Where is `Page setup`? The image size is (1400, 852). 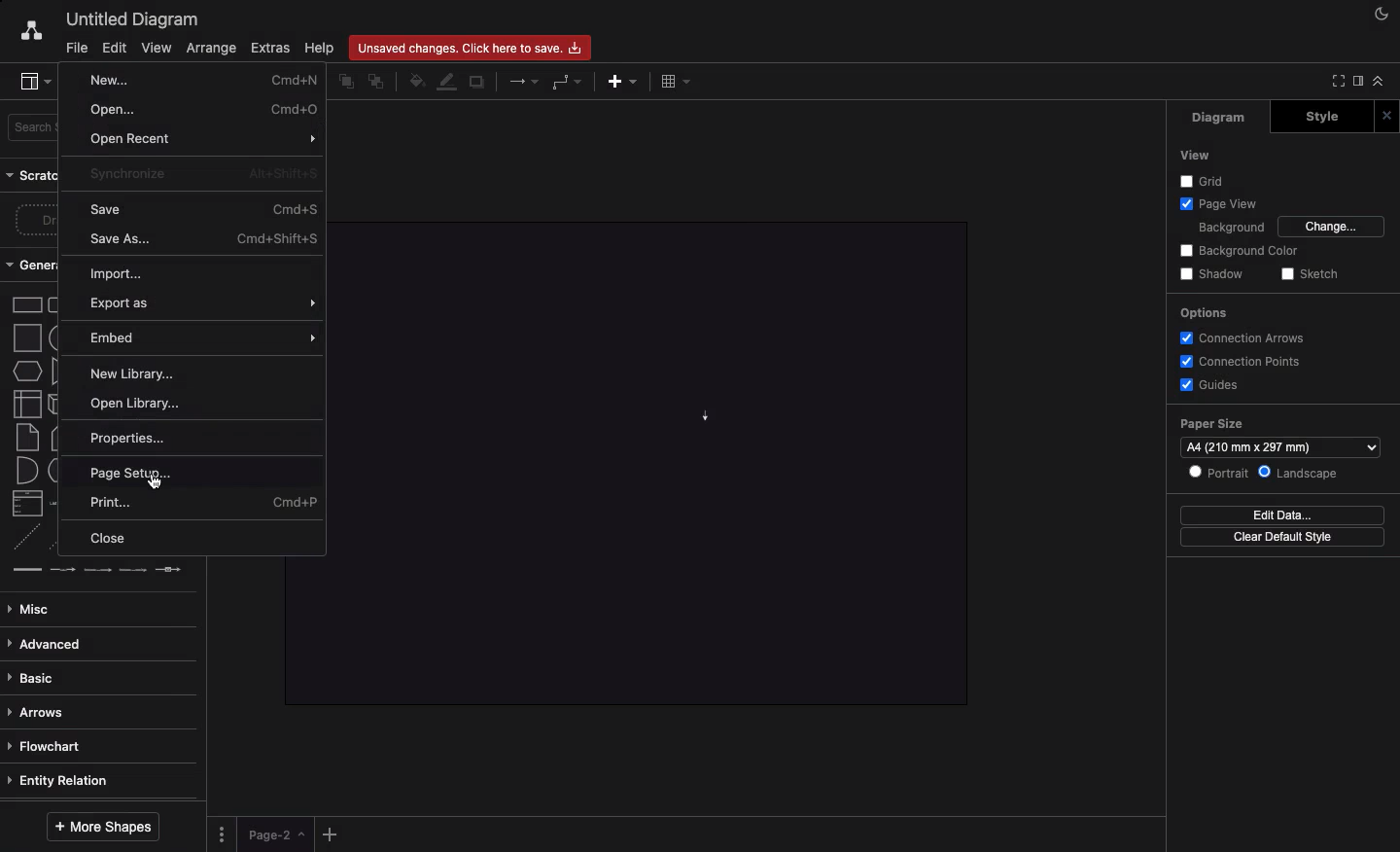 Page setup is located at coordinates (132, 473).